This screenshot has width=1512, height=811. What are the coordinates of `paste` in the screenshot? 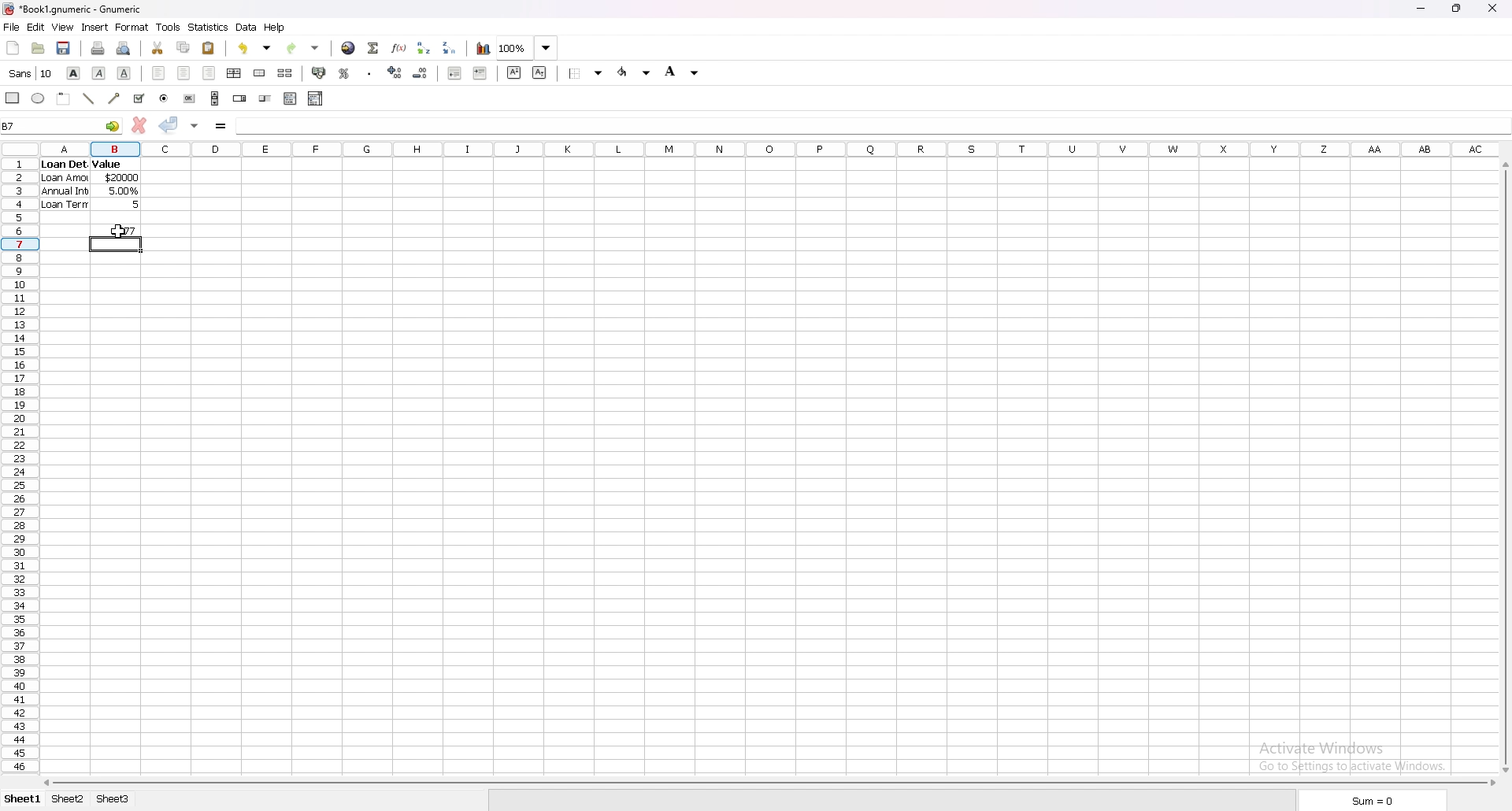 It's located at (208, 48).